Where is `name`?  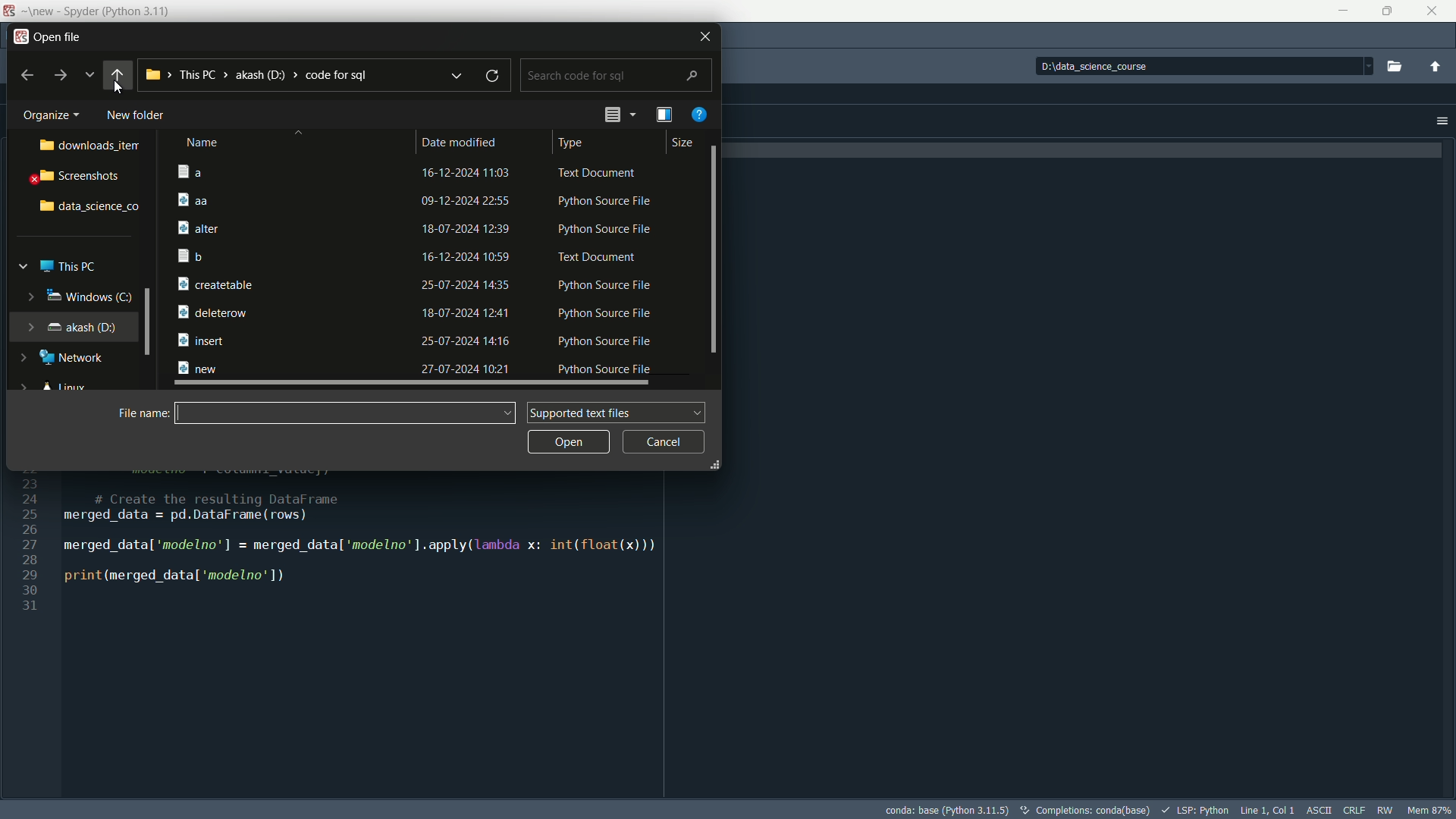
name is located at coordinates (288, 140).